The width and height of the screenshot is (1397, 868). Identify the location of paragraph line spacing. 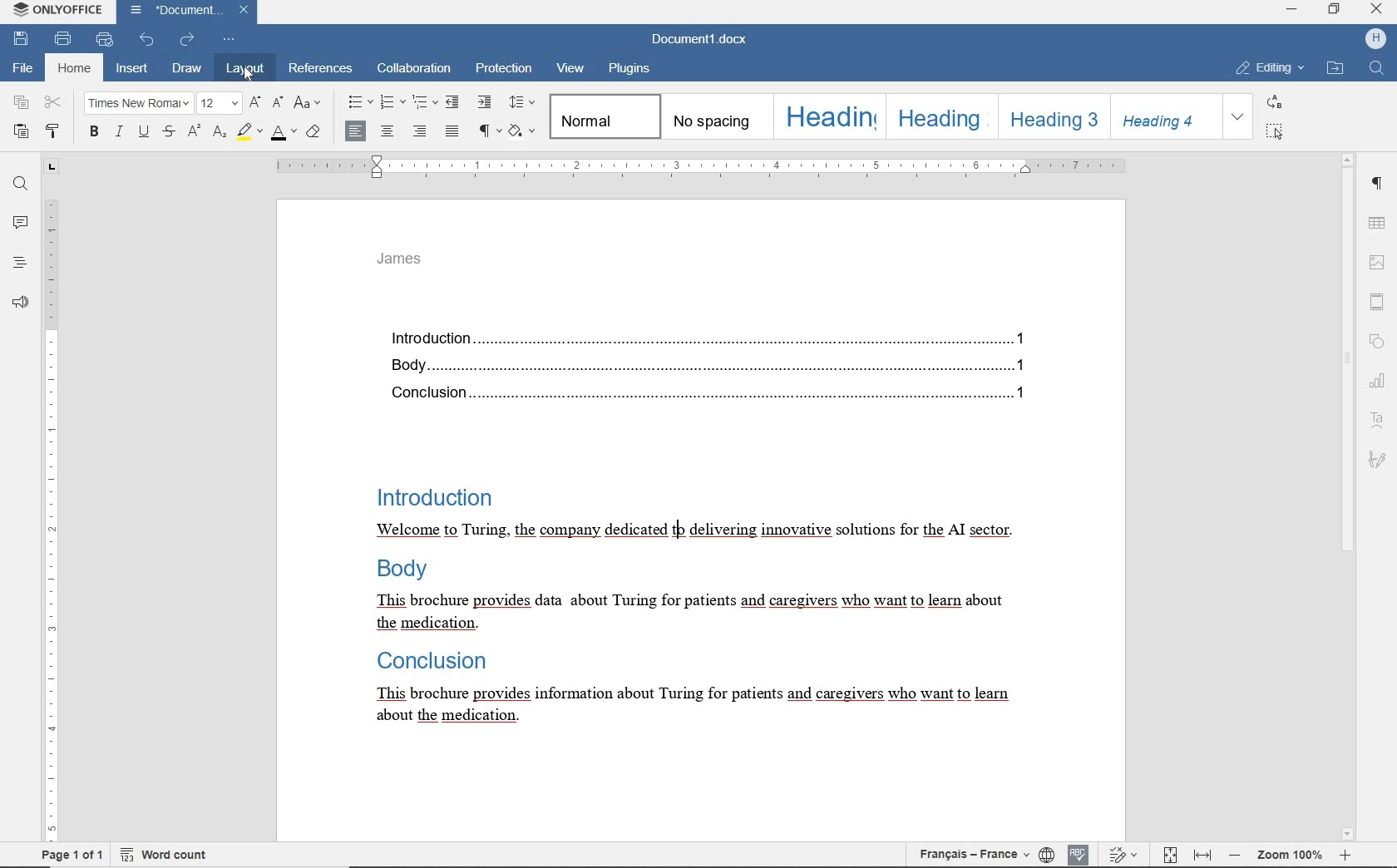
(521, 102).